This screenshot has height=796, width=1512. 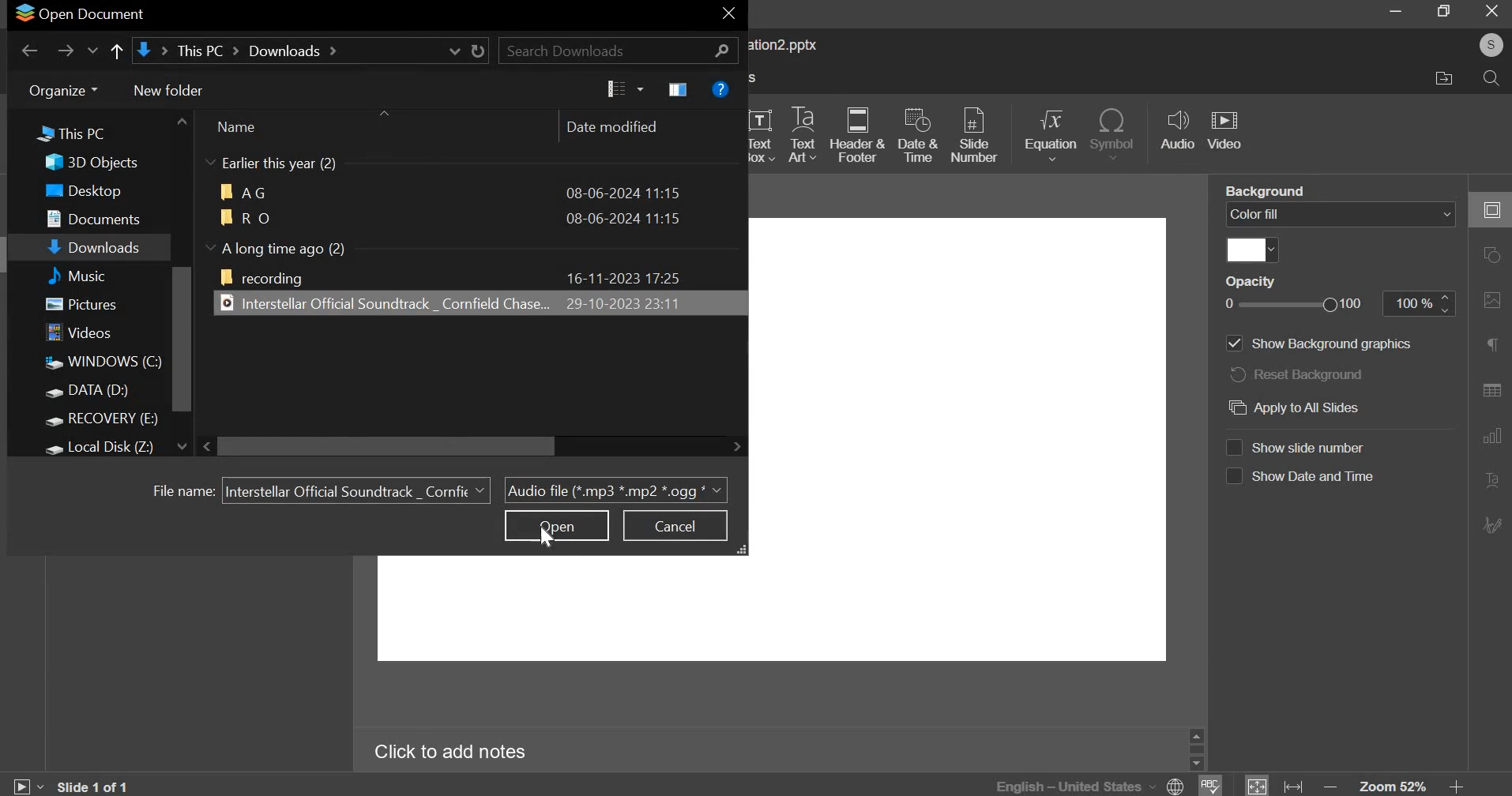 What do you see at coordinates (1409, 303) in the screenshot?
I see `100%` at bounding box center [1409, 303].